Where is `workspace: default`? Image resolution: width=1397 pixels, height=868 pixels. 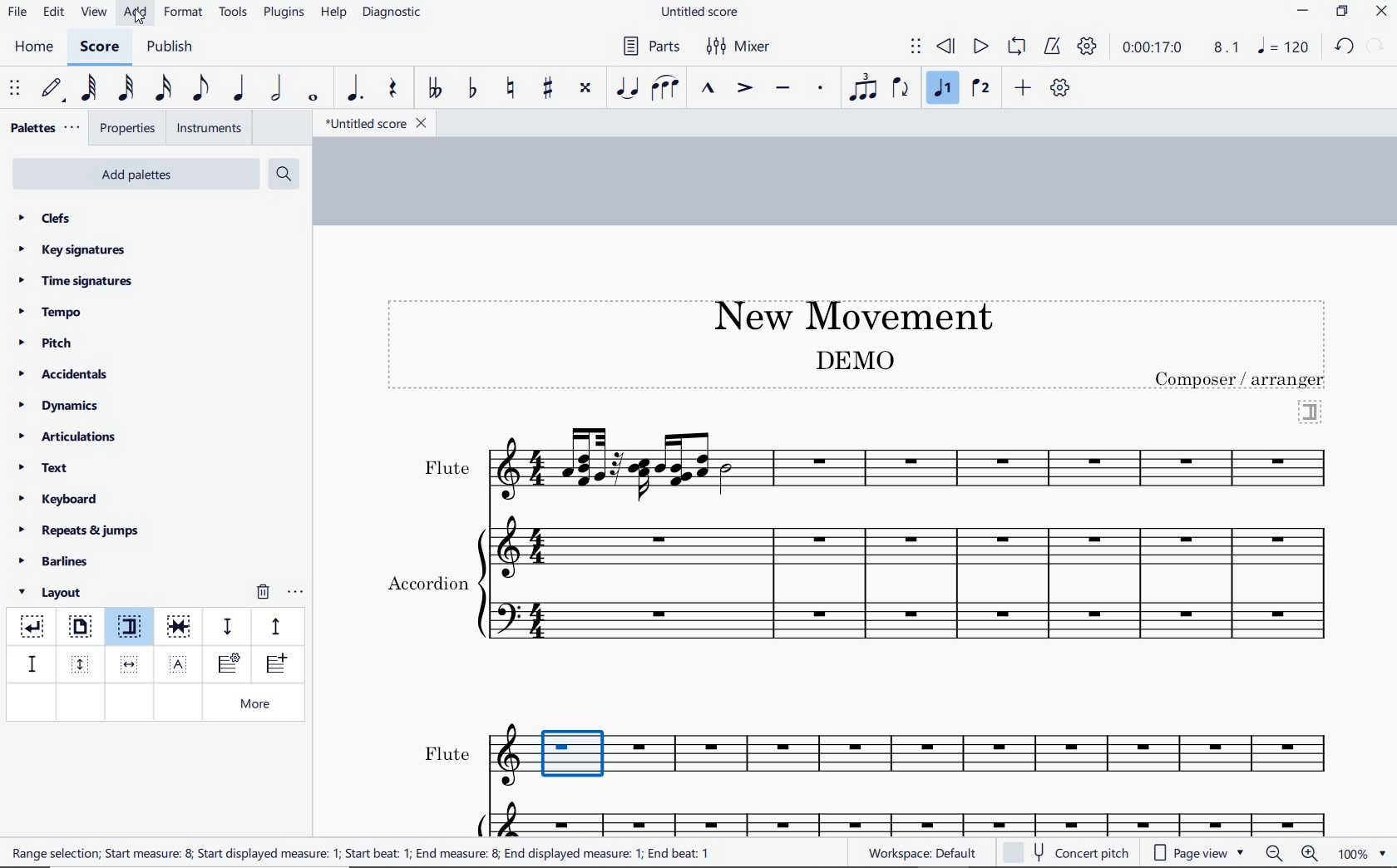
workspace: default is located at coordinates (920, 852).